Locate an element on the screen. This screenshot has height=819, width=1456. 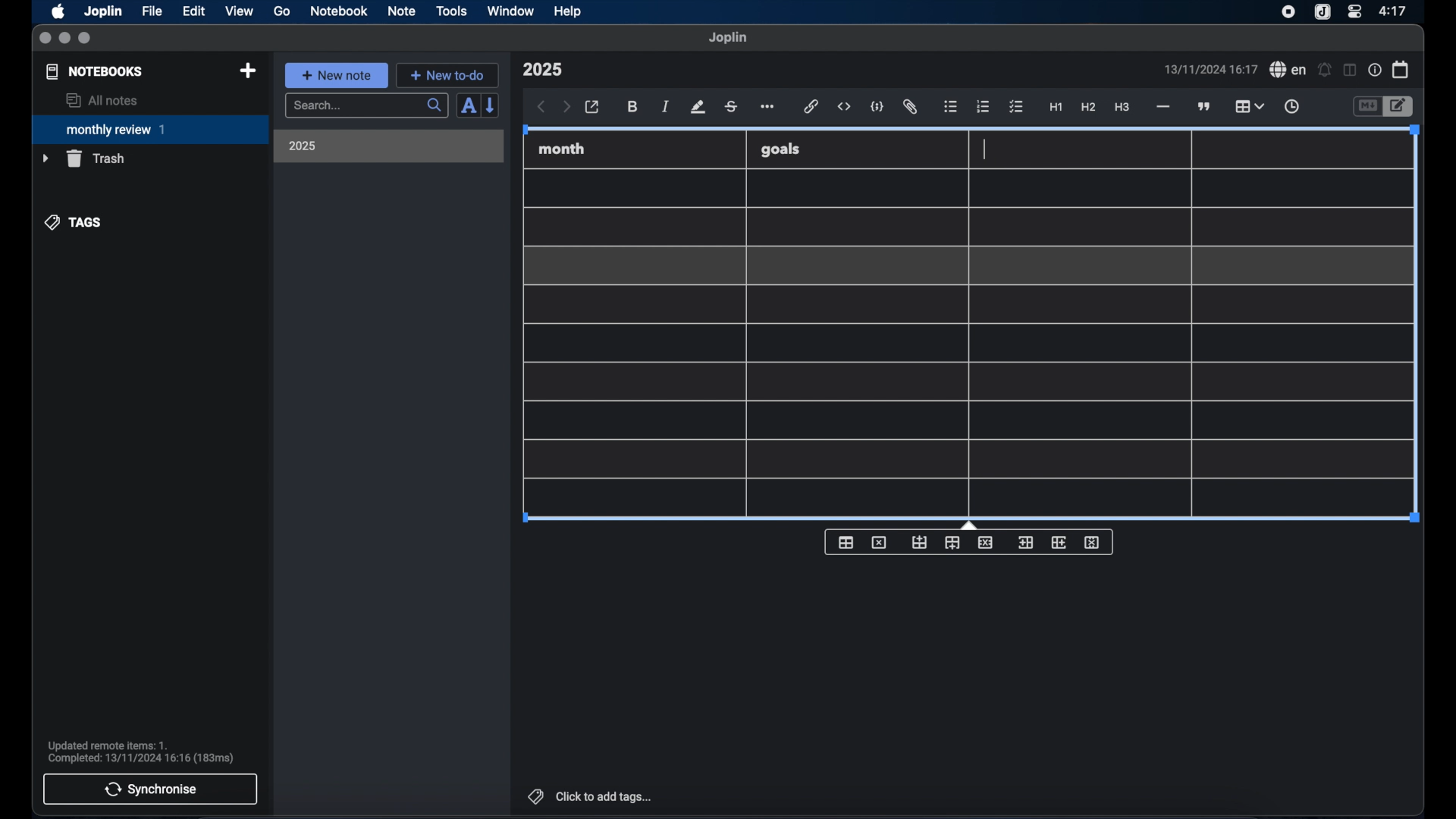
apple icon is located at coordinates (57, 11).